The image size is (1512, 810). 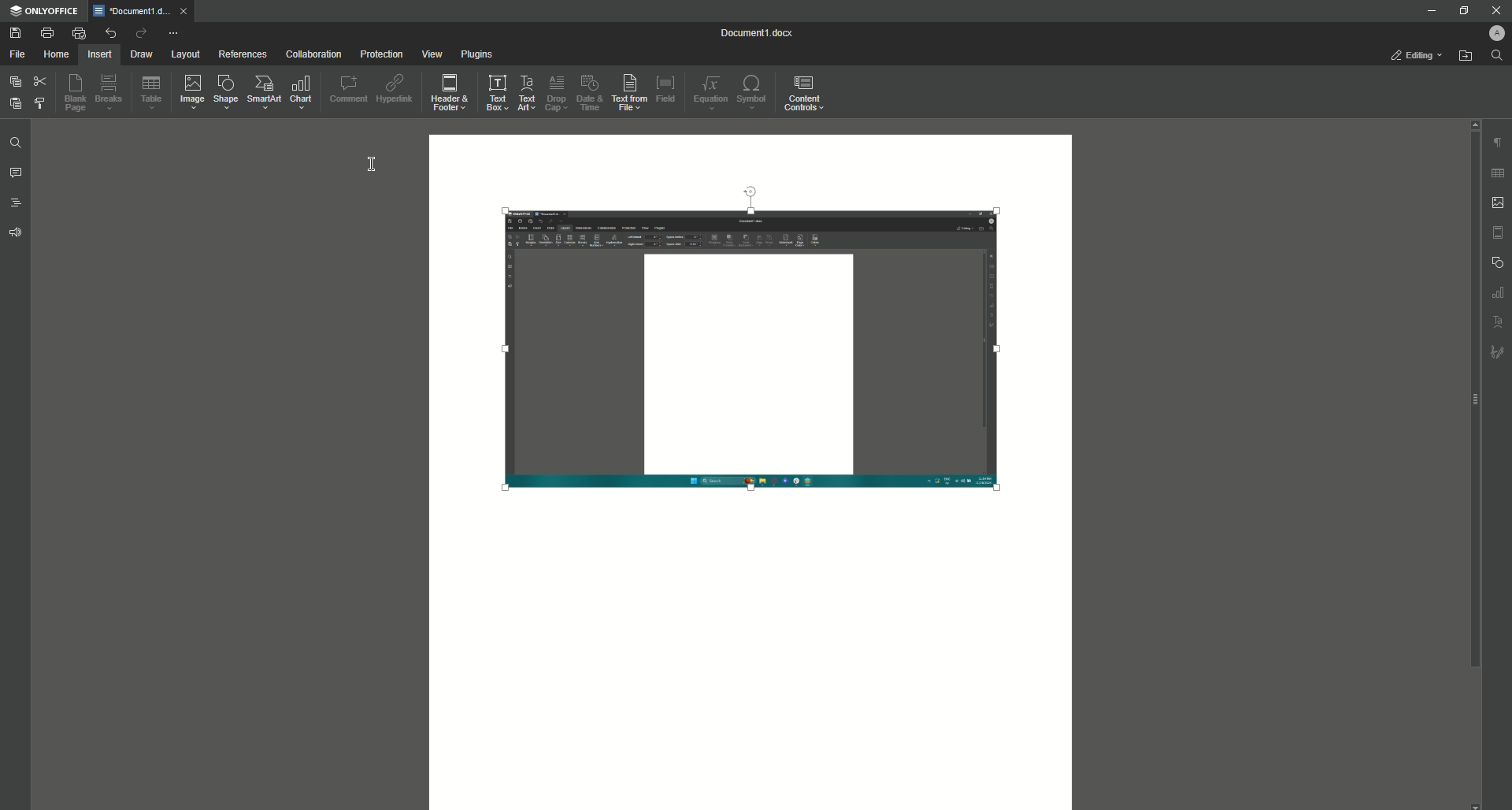 What do you see at coordinates (1475, 804) in the screenshot?
I see `scroll down` at bounding box center [1475, 804].